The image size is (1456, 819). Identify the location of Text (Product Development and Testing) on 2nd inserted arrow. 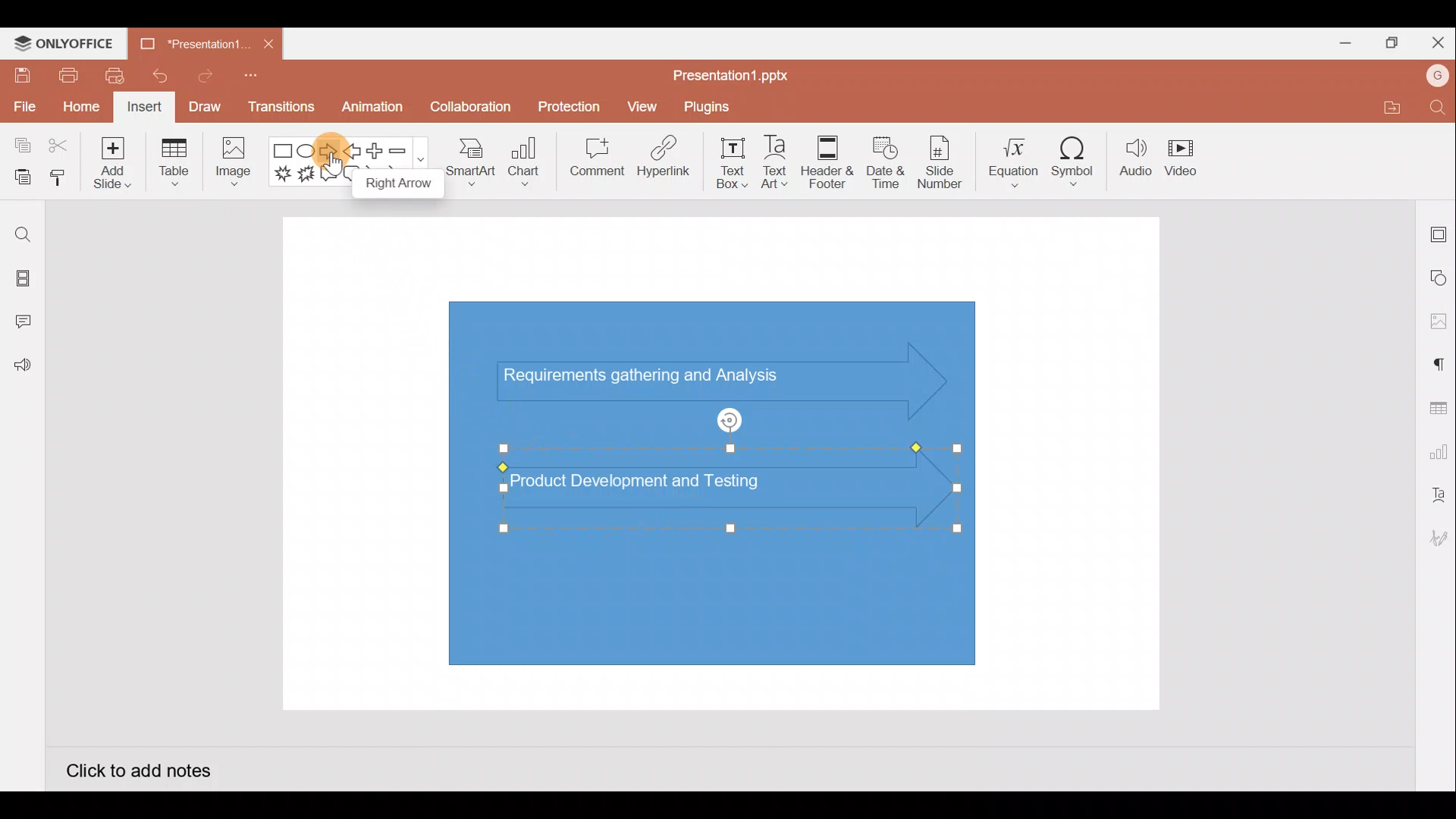
(651, 479).